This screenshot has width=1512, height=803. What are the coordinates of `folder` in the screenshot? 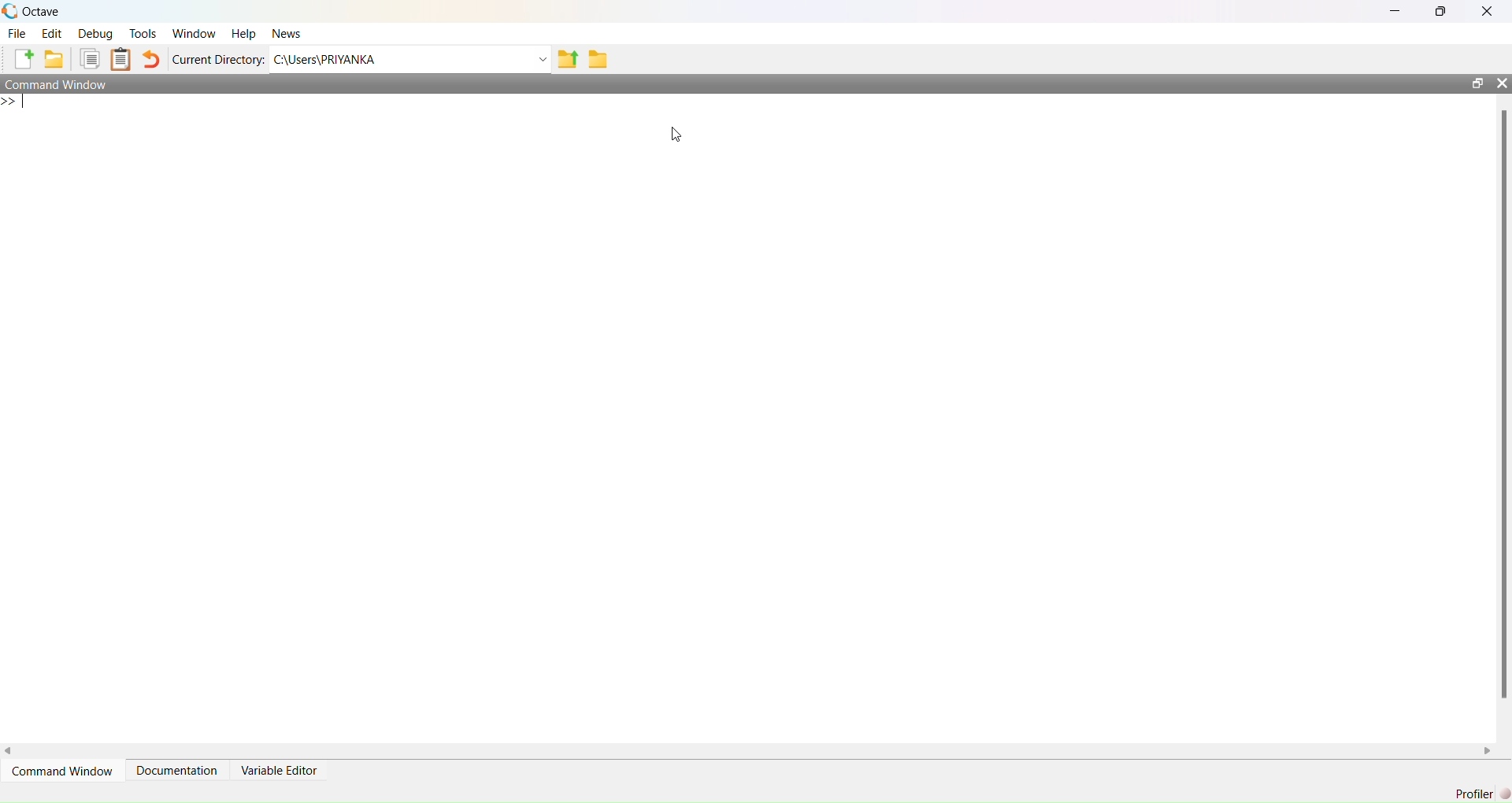 It's located at (600, 60).